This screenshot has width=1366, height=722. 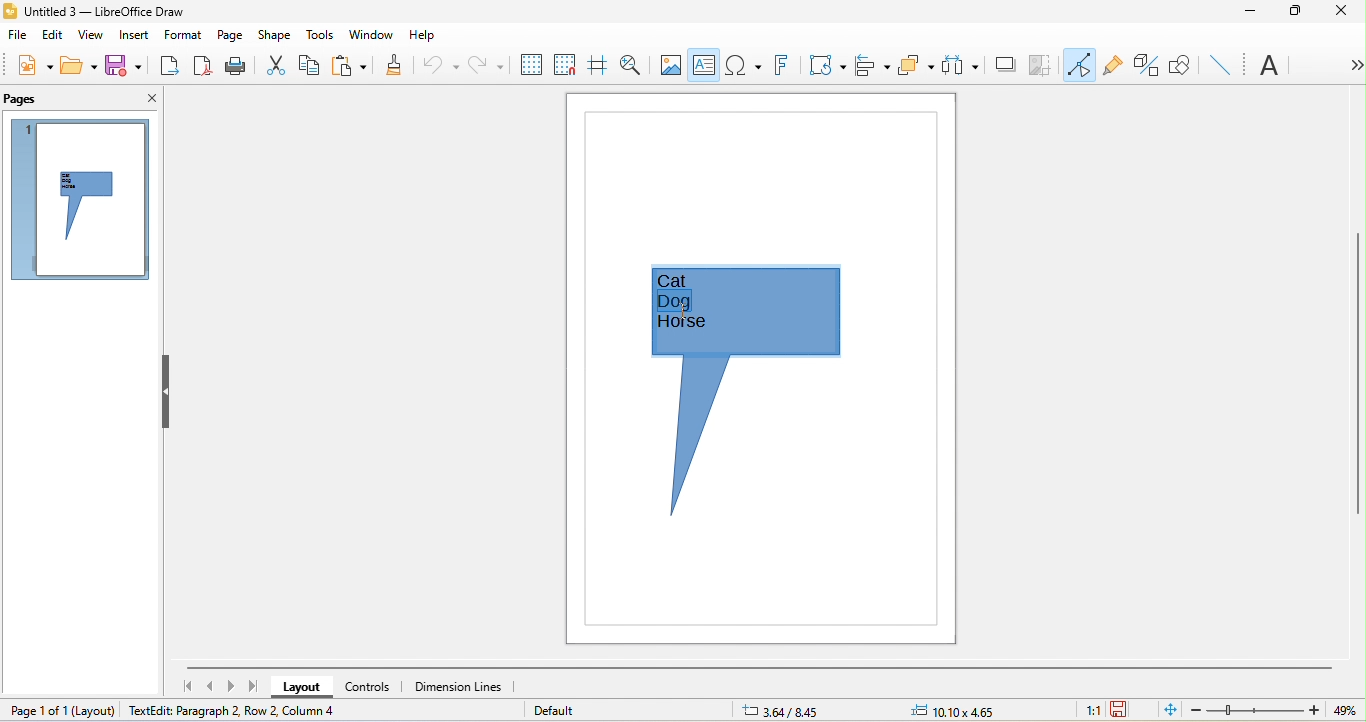 What do you see at coordinates (1220, 63) in the screenshot?
I see `insert line` at bounding box center [1220, 63].